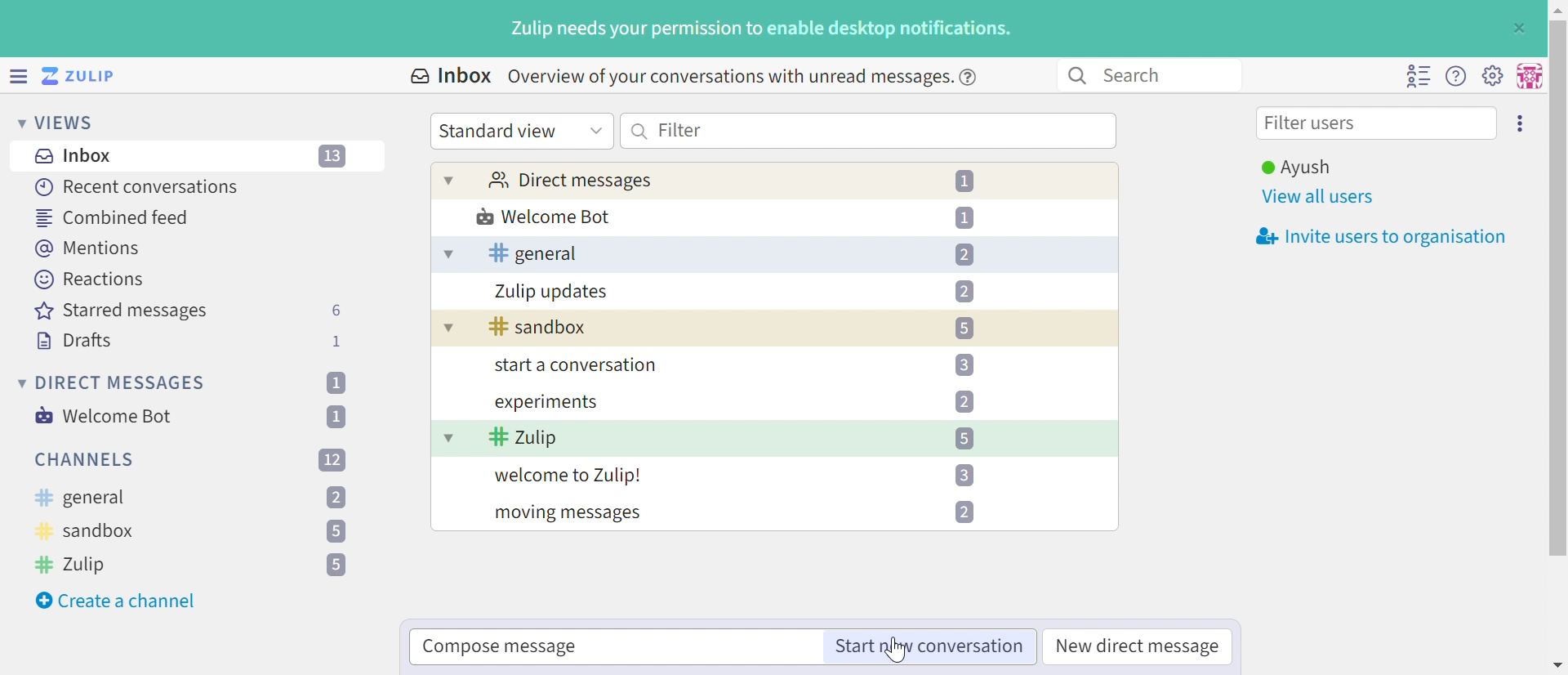 The height and width of the screenshot is (675, 1568). What do you see at coordinates (449, 180) in the screenshot?
I see `Drop Down` at bounding box center [449, 180].